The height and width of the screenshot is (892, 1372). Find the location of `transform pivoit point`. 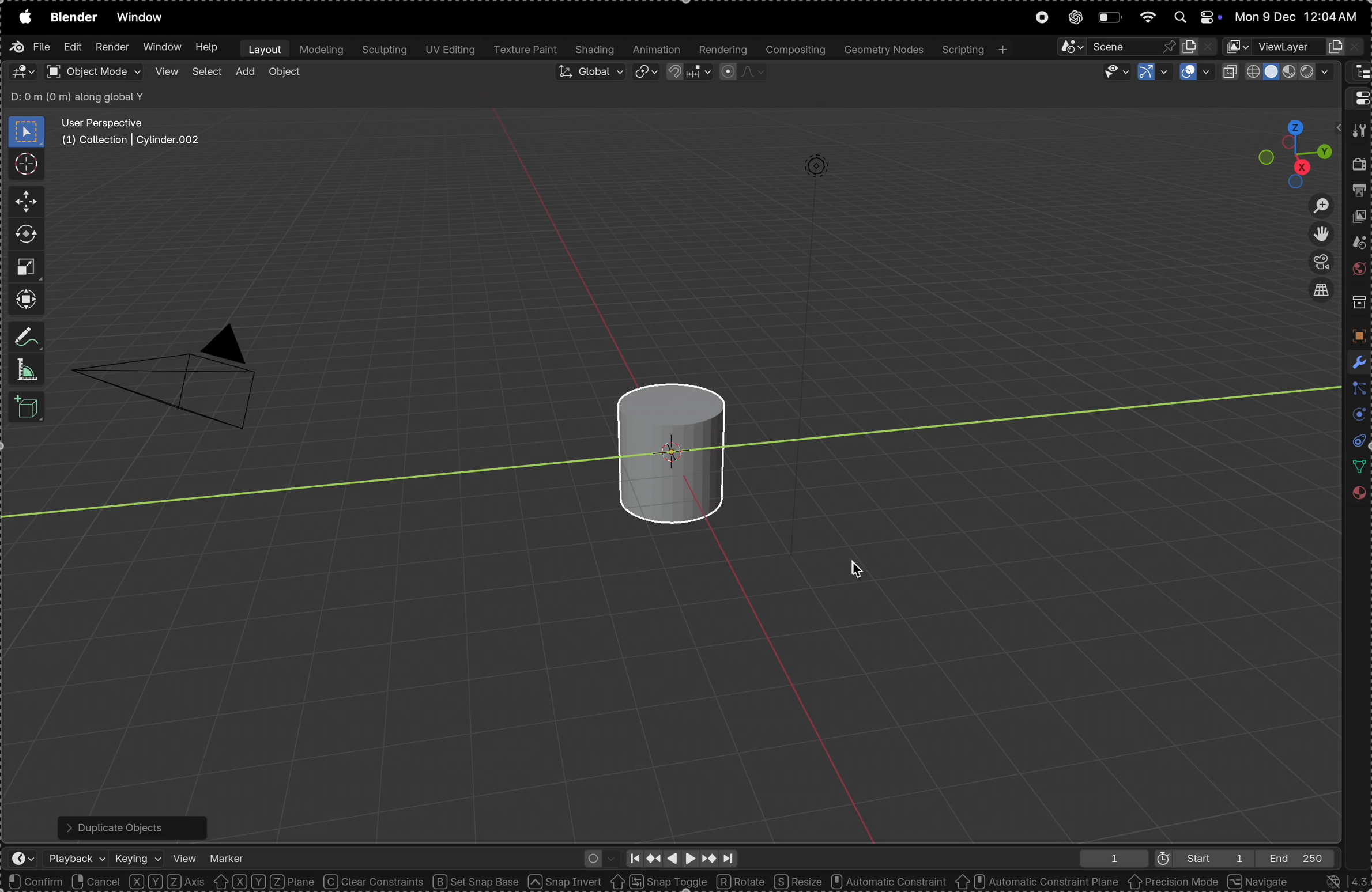

transform pivoit point is located at coordinates (647, 73).